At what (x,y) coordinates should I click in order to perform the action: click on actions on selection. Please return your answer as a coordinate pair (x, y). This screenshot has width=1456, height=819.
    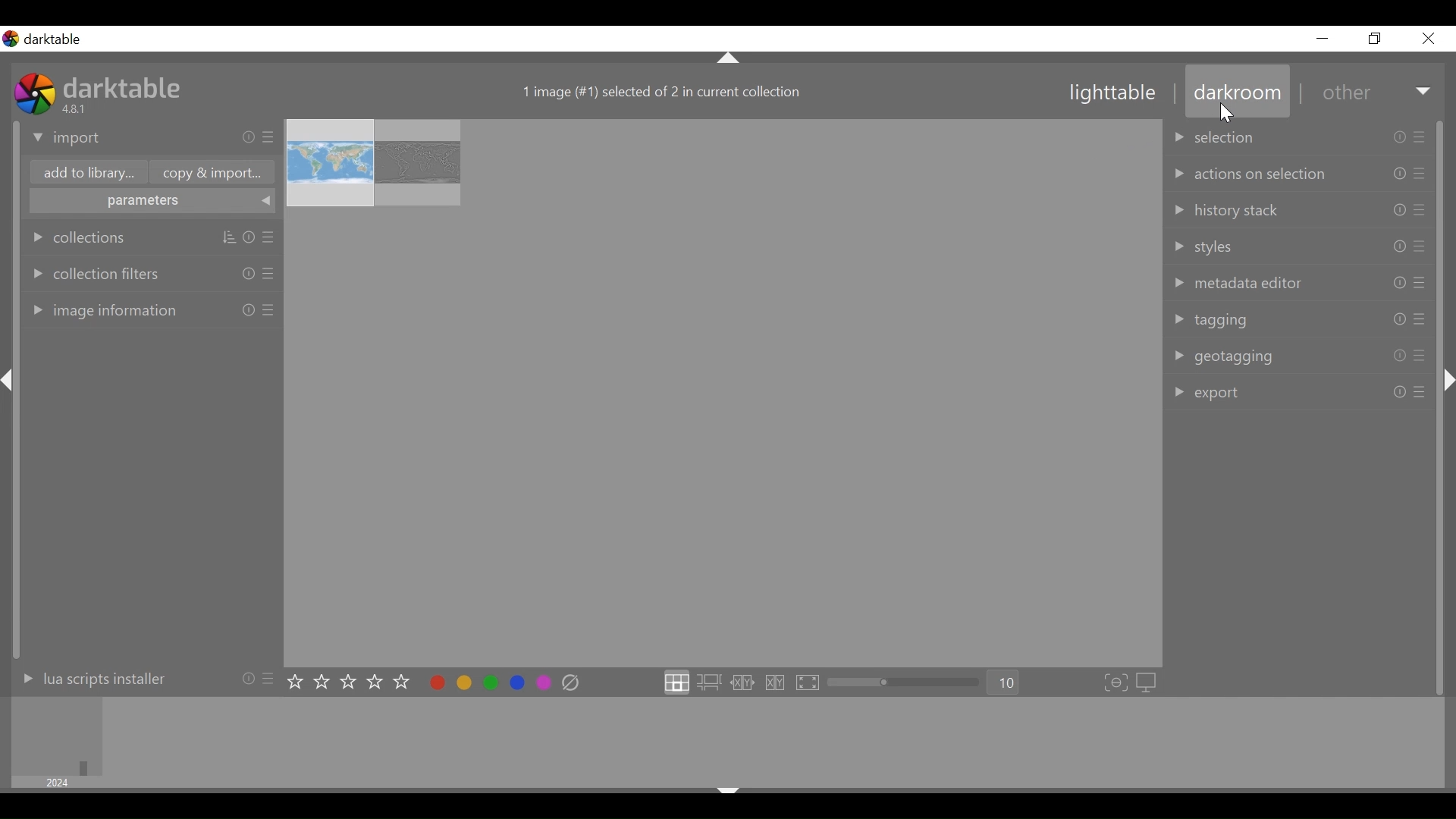
    Looking at the image, I should click on (1303, 172).